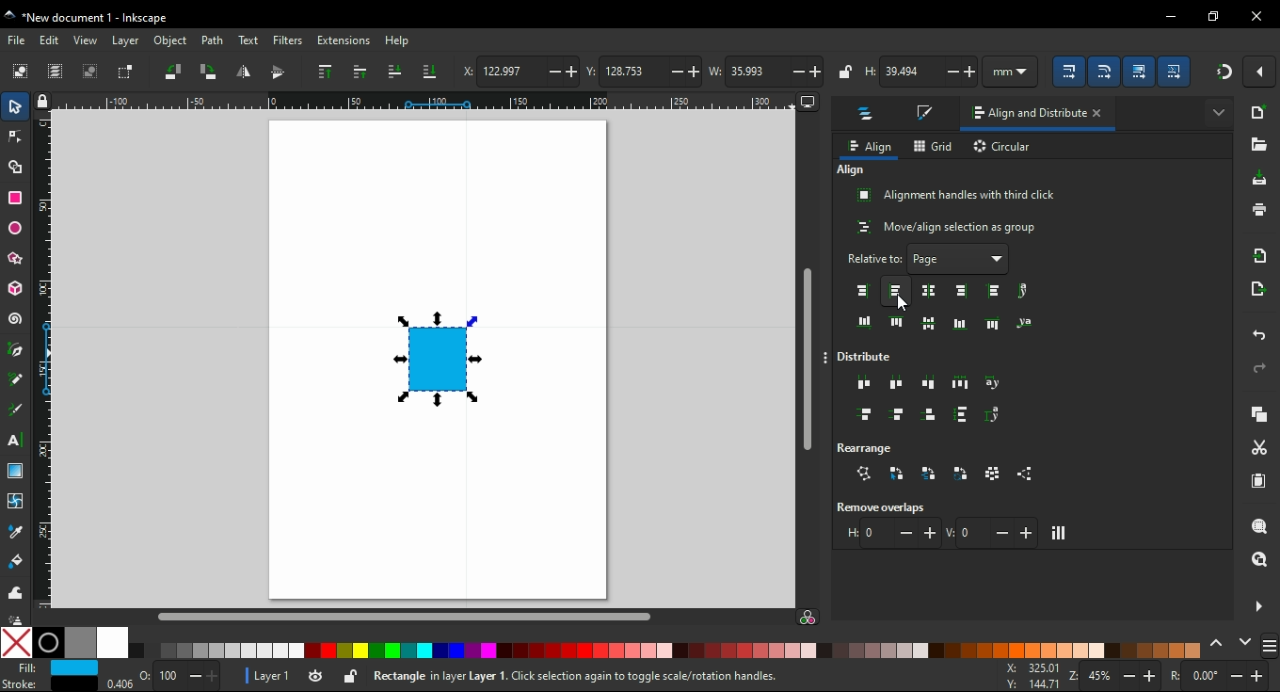  Describe the element at coordinates (19, 440) in the screenshot. I see `text tool` at that location.